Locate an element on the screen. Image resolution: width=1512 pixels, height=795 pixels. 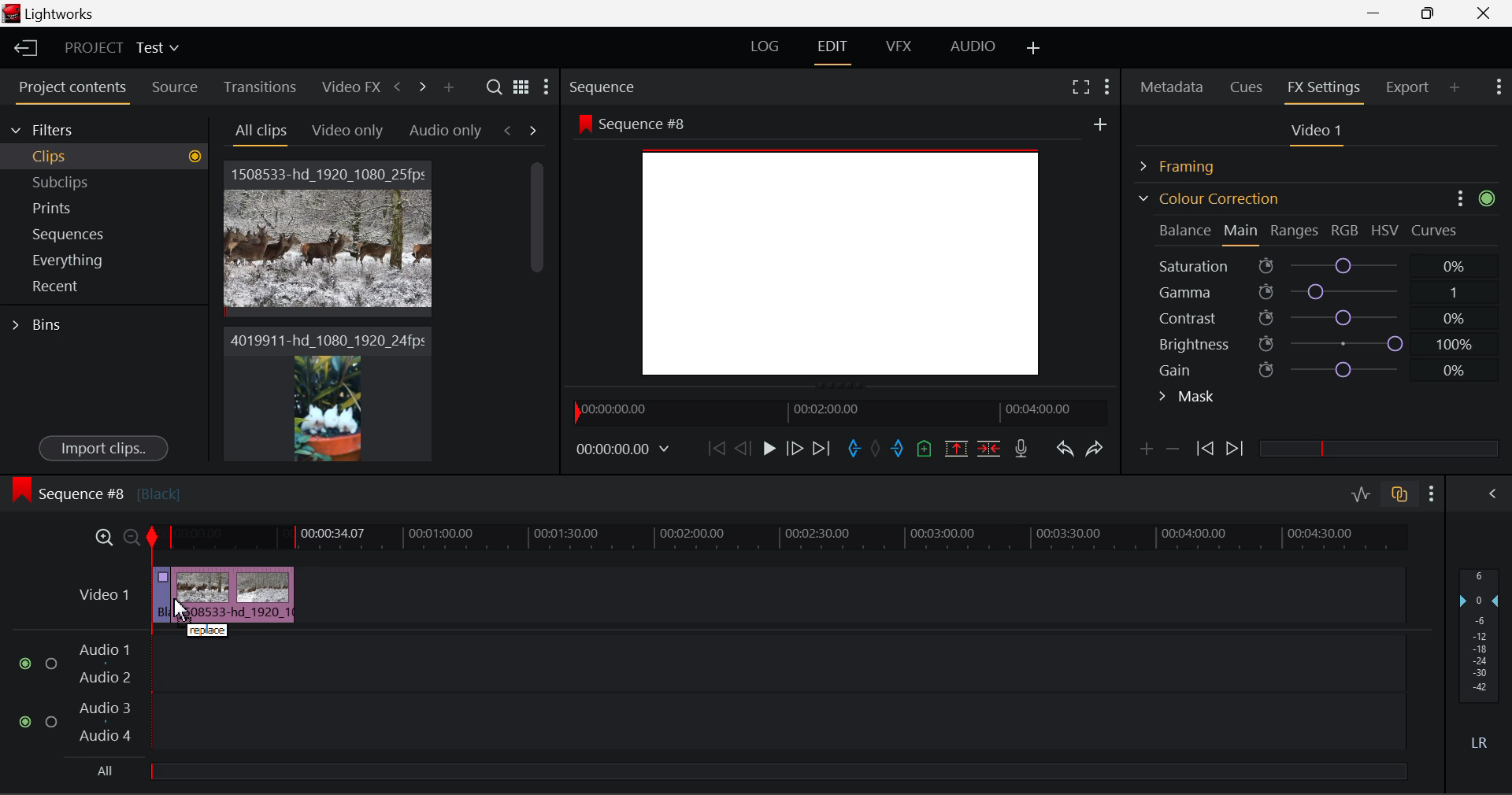
Everything is located at coordinates (70, 260).